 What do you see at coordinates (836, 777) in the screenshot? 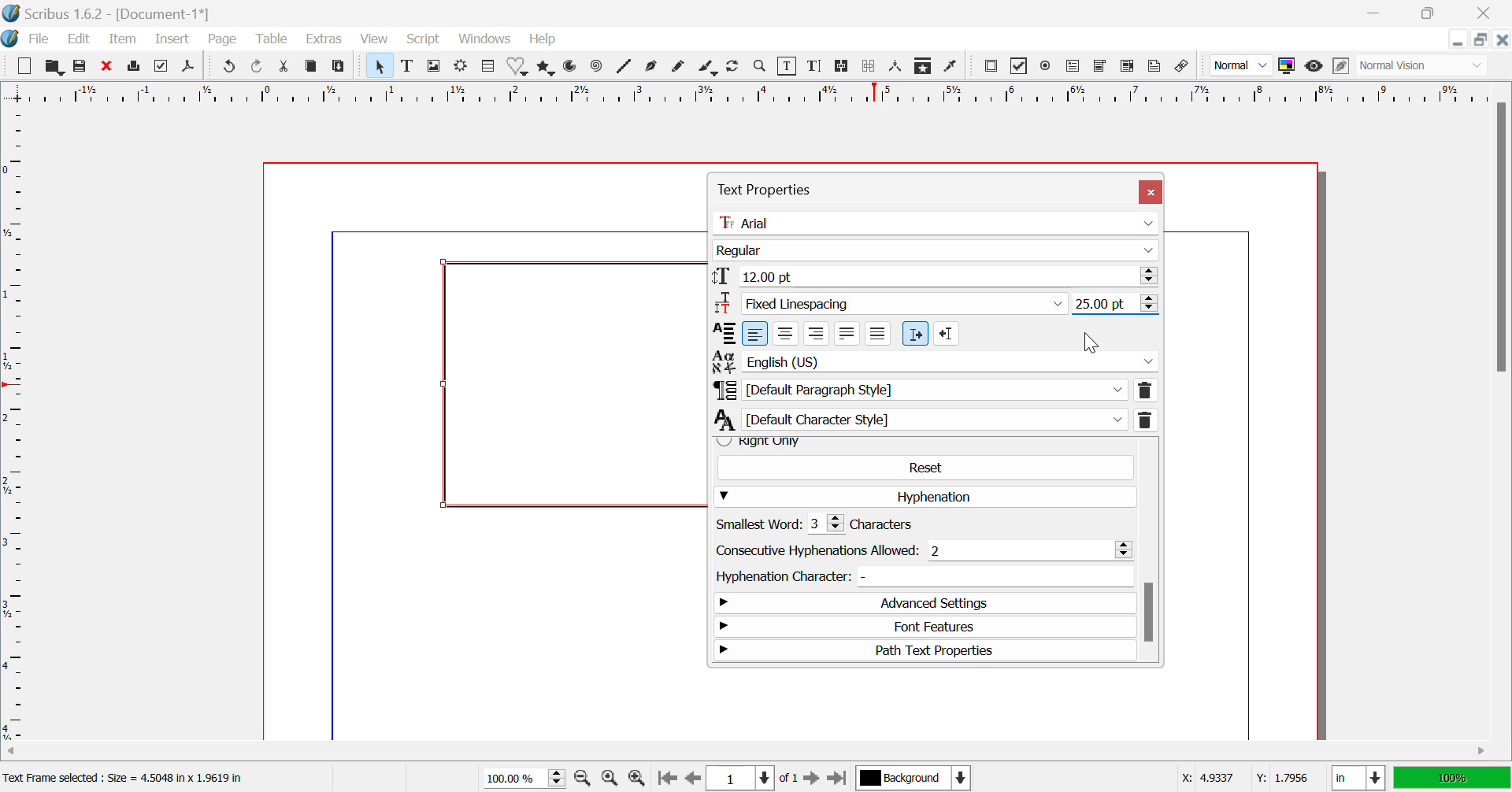
I see `Last Page` at bounding box center [836, 777].